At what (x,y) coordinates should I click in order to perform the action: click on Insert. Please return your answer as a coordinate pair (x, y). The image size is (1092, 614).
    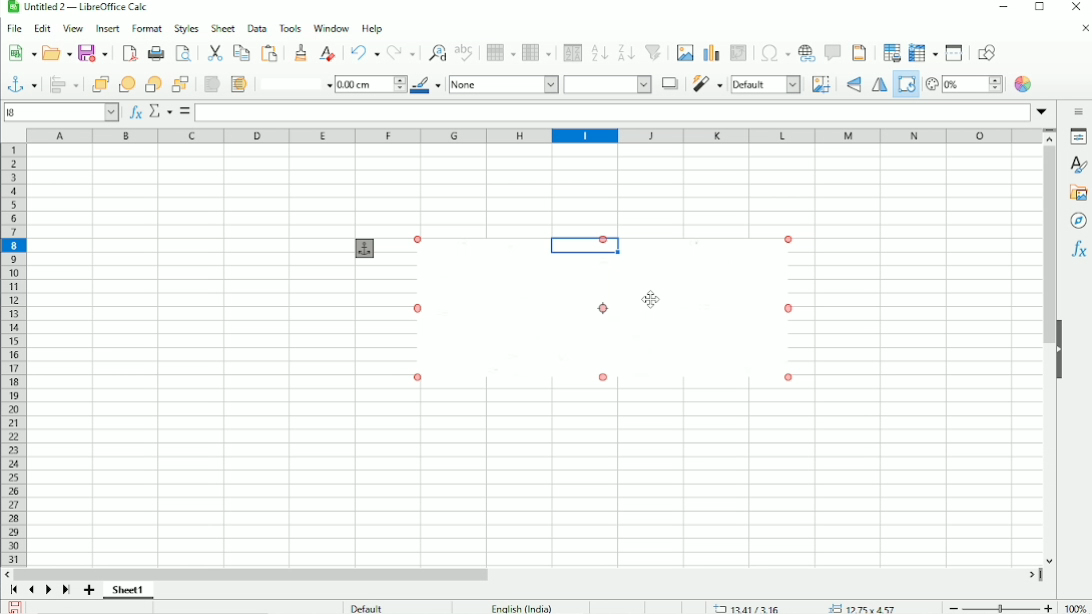
    Looking at the image, I should click on (106, 28).